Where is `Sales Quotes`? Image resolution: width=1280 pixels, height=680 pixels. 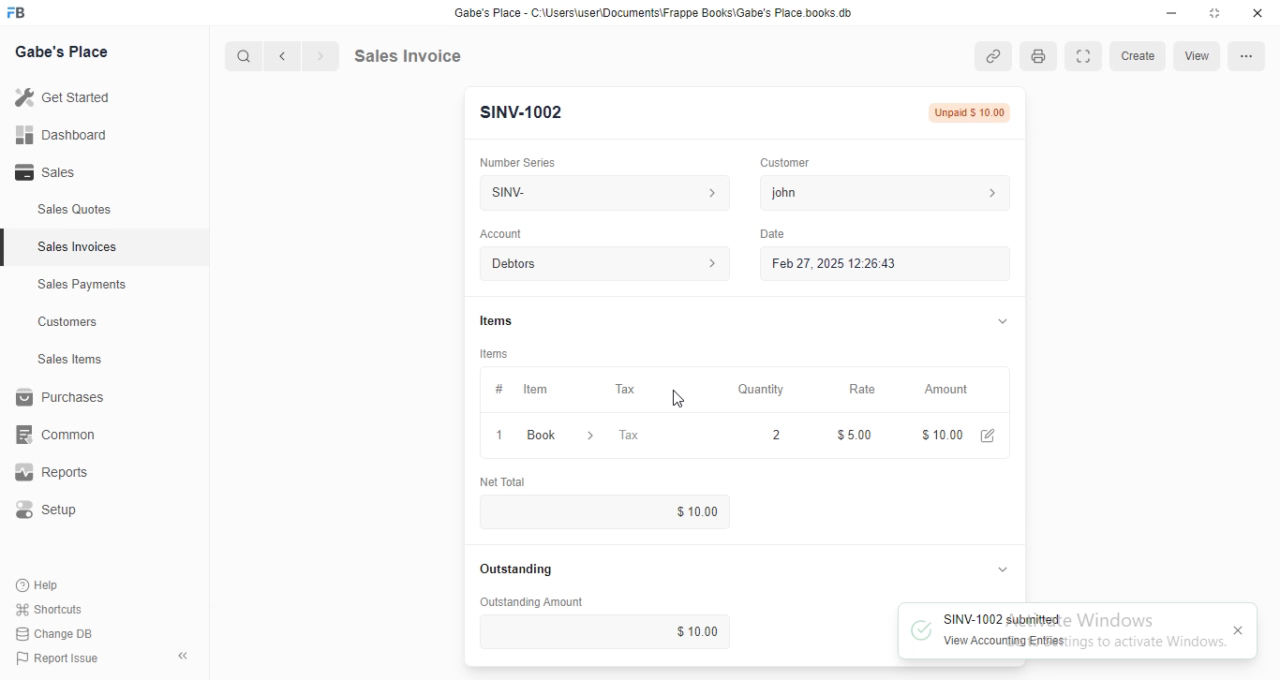 Sales Quotes is located at coordinates (74, 212).